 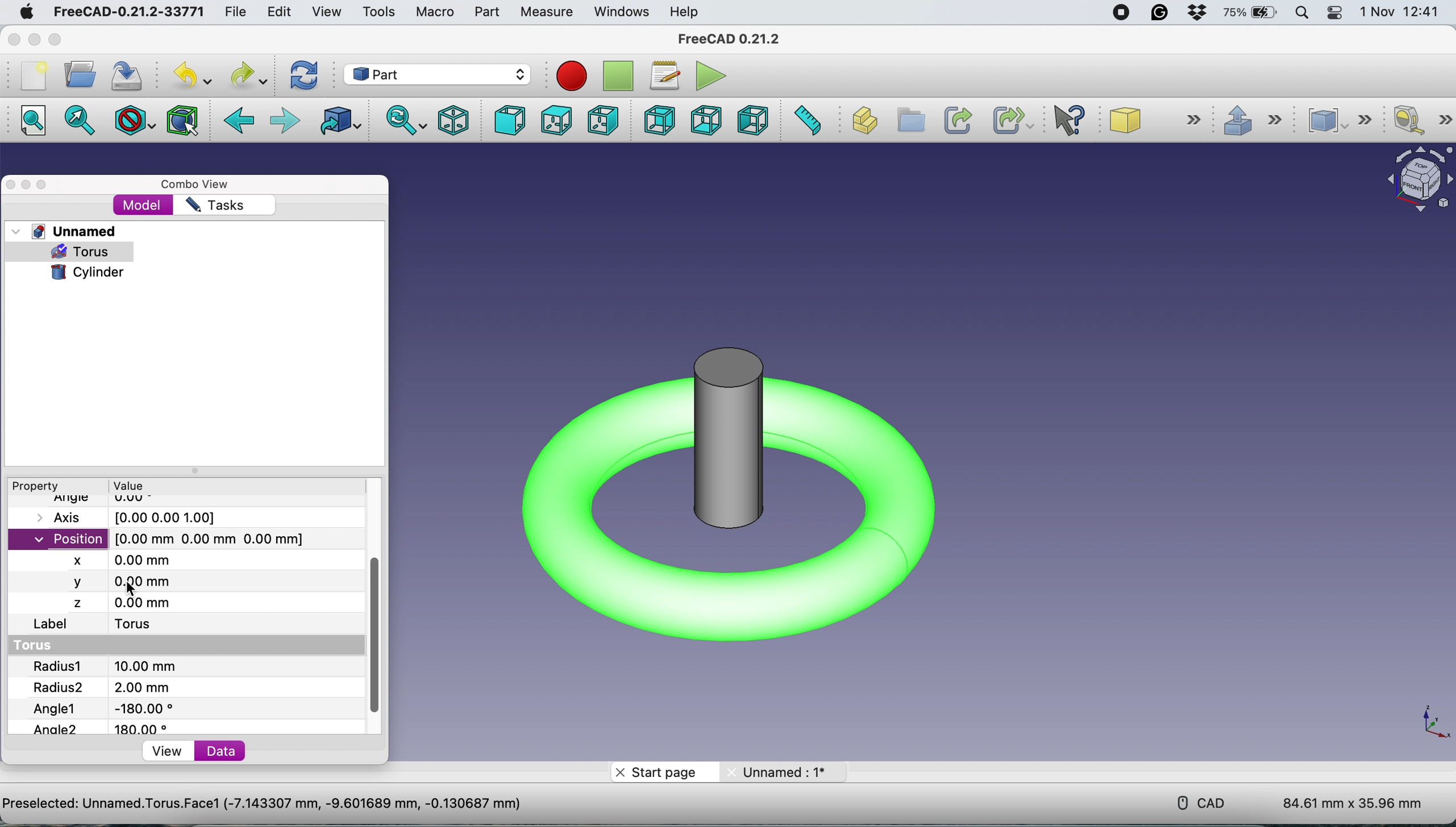 What do you see at coordinates (66, 231) in the screenshot?
I see `unnamed` at bounding box center [66, 231].